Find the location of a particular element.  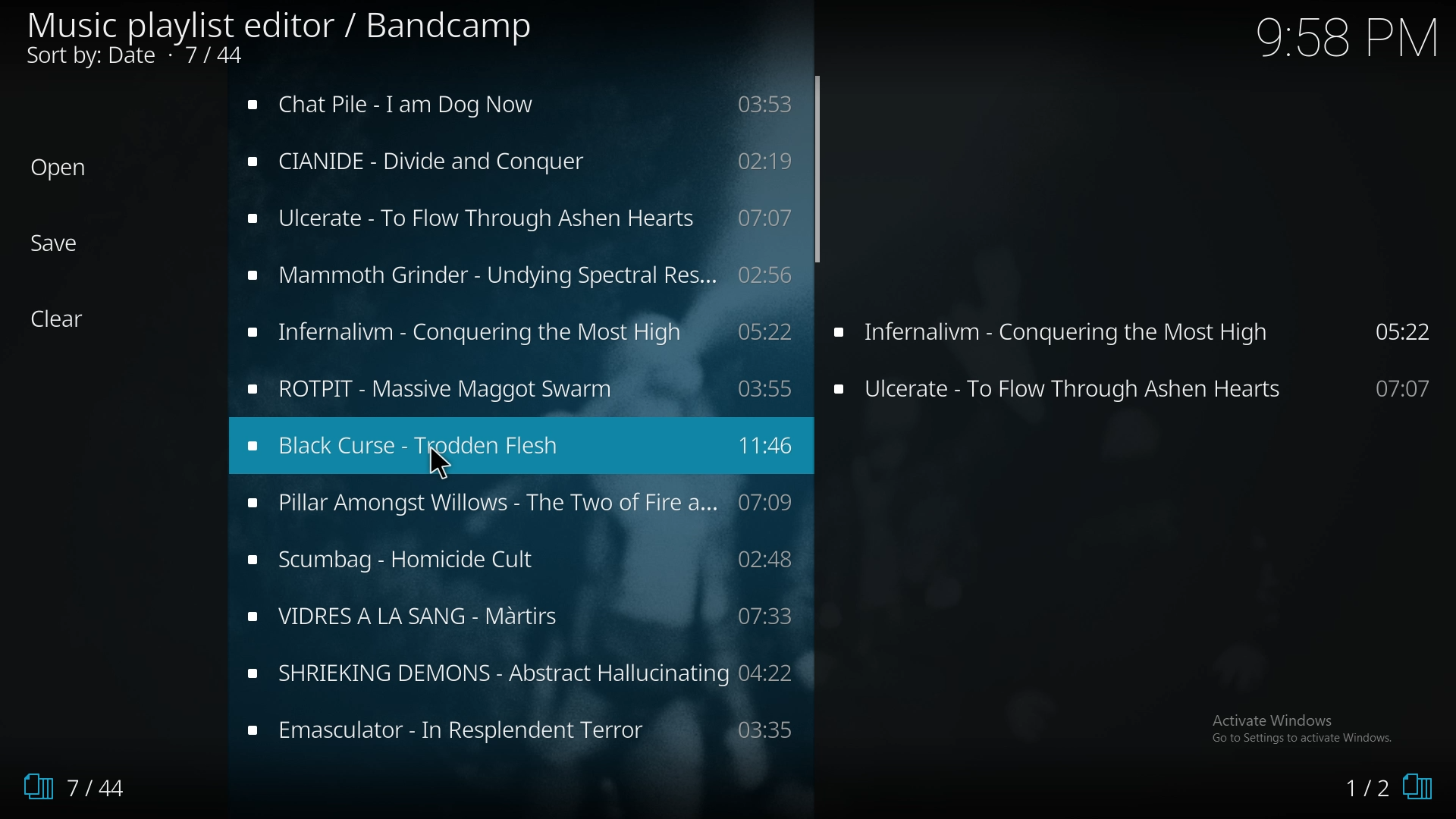

9:58 PM is located at coordinates (1341, 42).